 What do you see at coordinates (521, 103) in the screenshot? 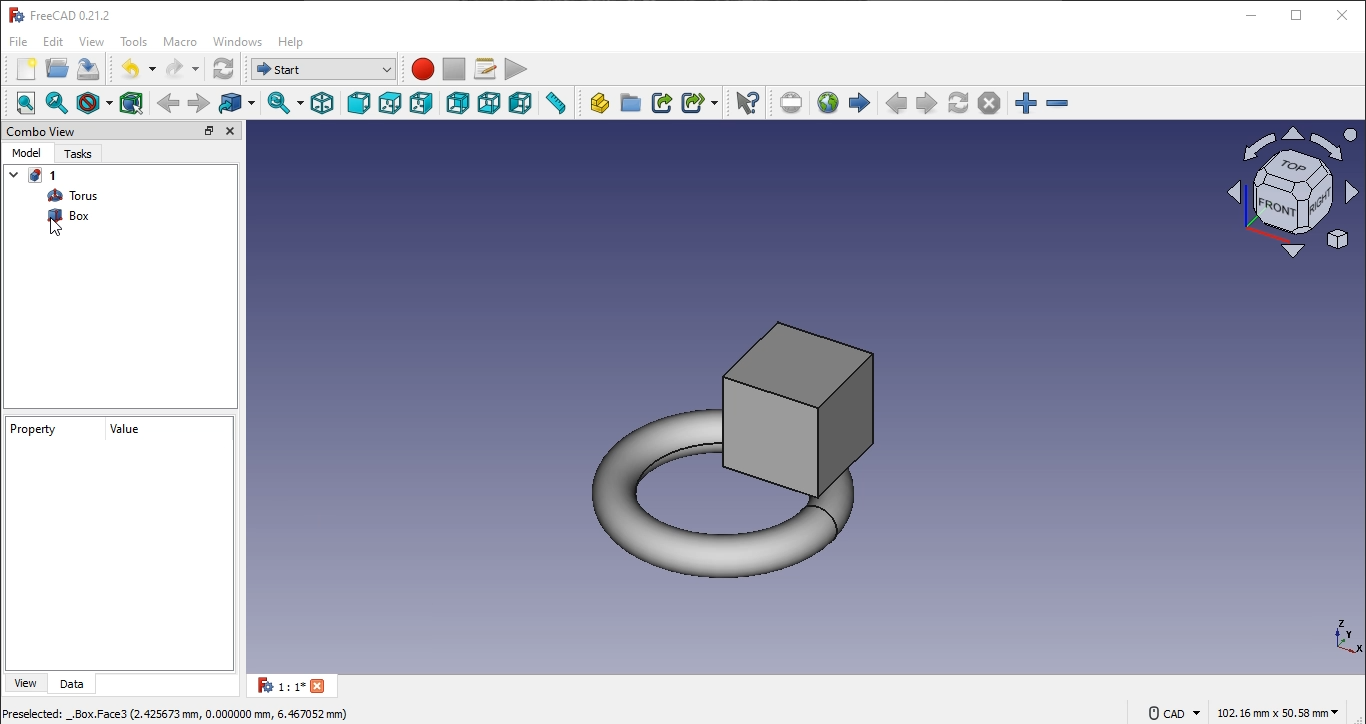
I see `left` at bounding box center [521, 103].